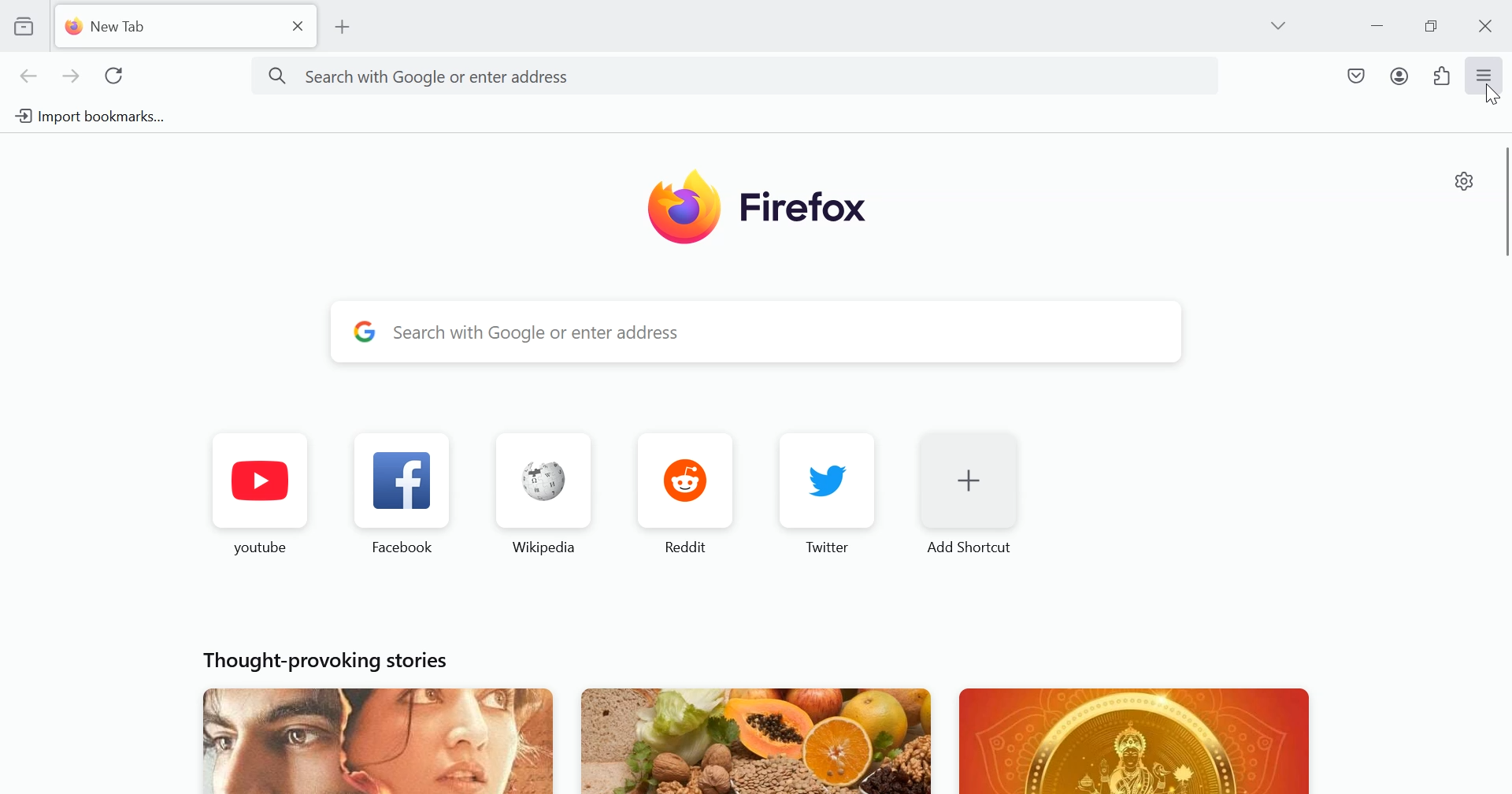  Describe the element at coordinates (332, 661) in the screenshot. I see `Thought provoking stories` at that location.